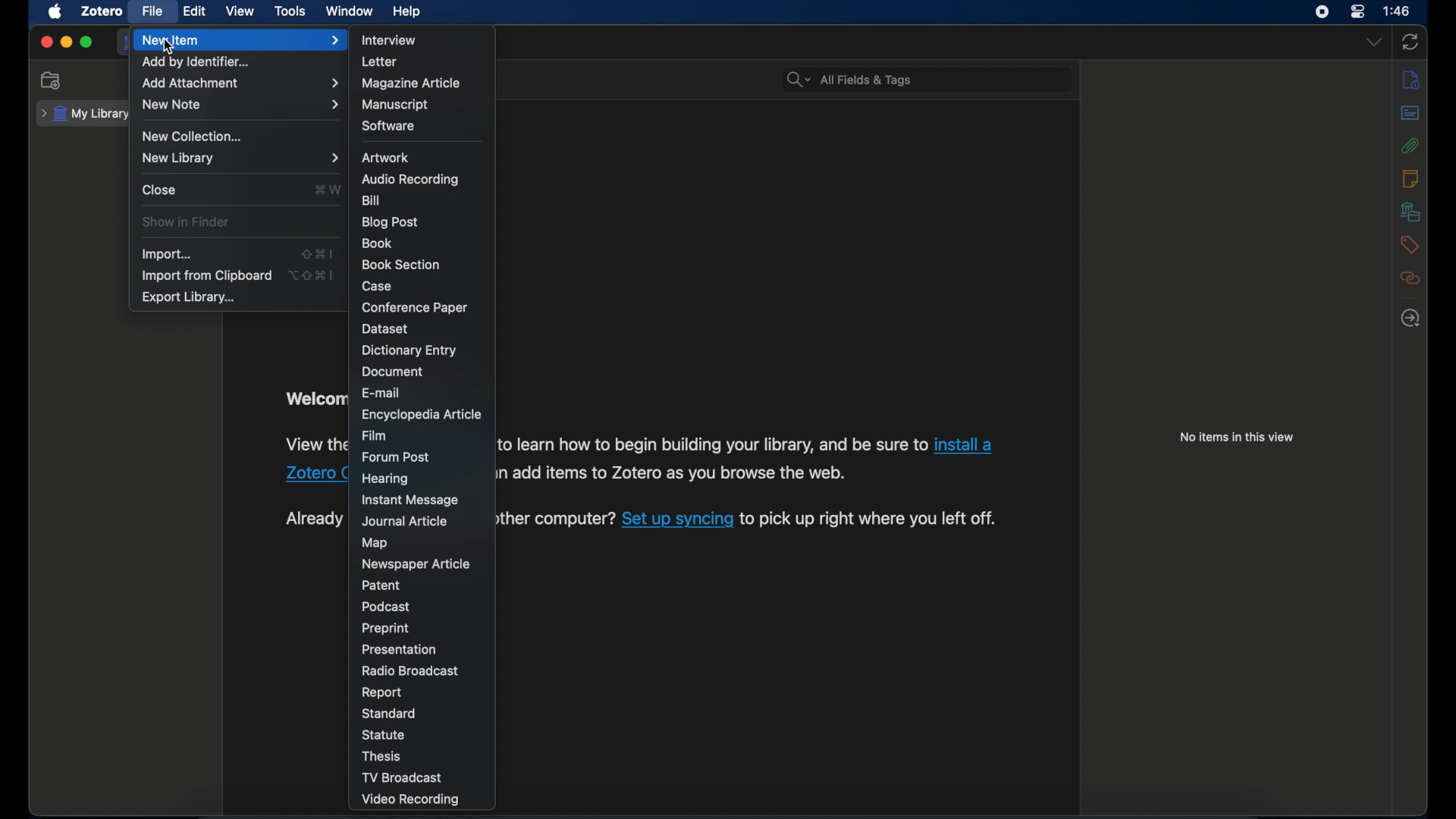 The image size is (1456, 819). Describe the element at coordinates (386, 328) in the screenshot. I see `dataset` at that location.